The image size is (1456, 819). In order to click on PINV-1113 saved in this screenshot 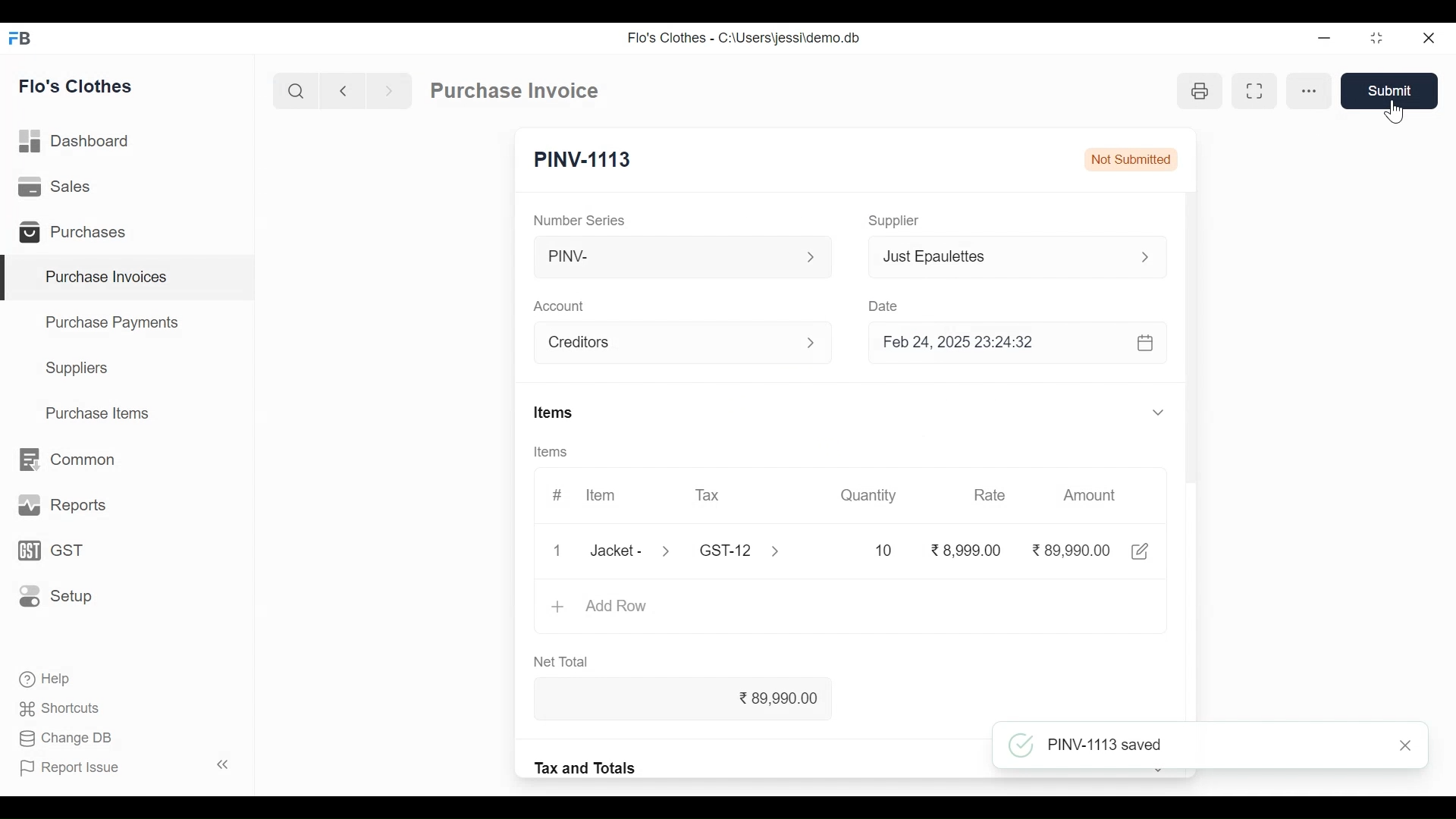, I will do `click(1195, 746)`.